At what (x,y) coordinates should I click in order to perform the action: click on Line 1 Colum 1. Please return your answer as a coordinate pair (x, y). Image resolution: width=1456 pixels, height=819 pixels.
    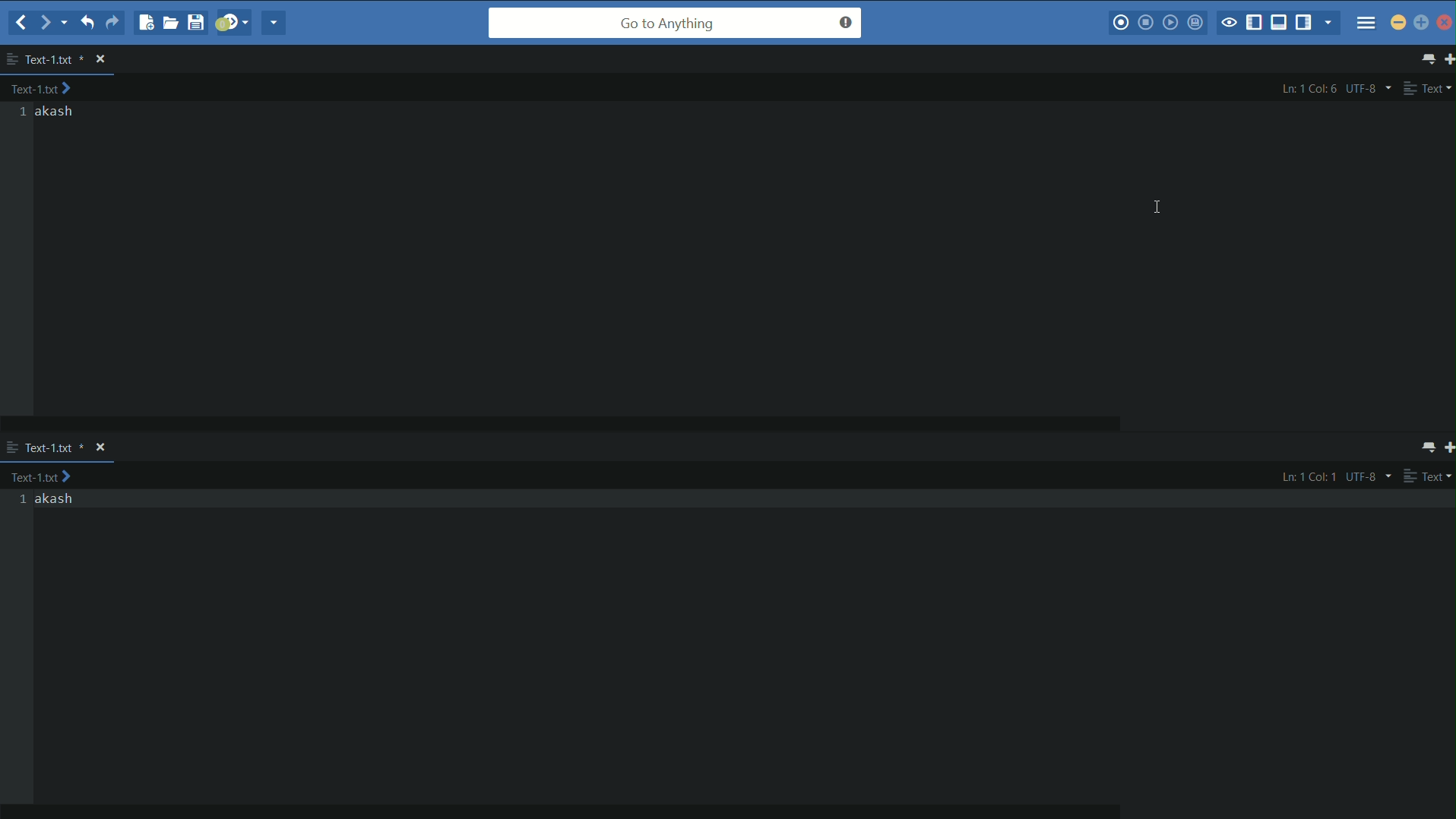
    Looking at the image, I should click on (1309, 479).